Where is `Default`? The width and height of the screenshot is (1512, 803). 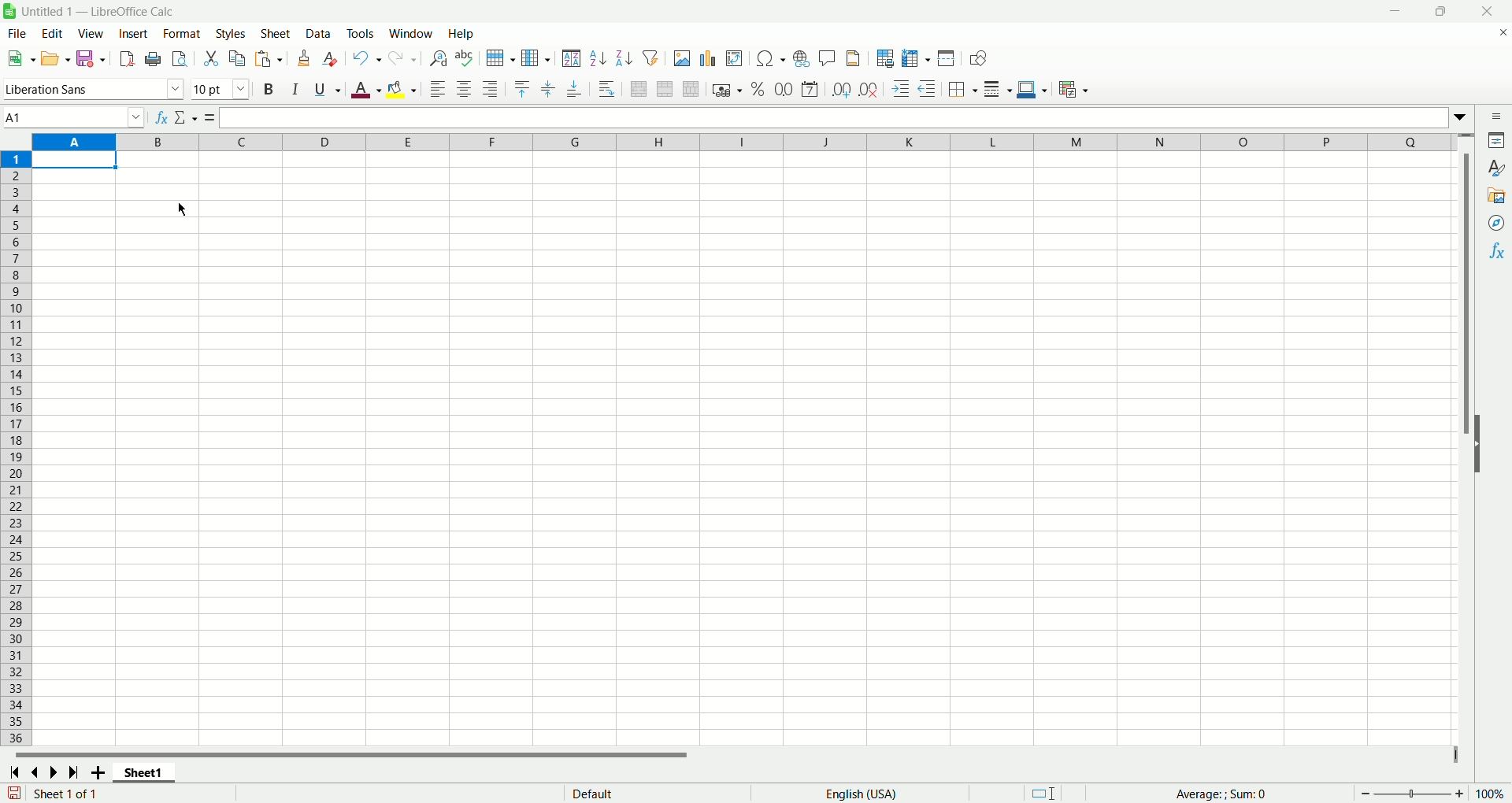 Default is located at coordinates (650, 792).